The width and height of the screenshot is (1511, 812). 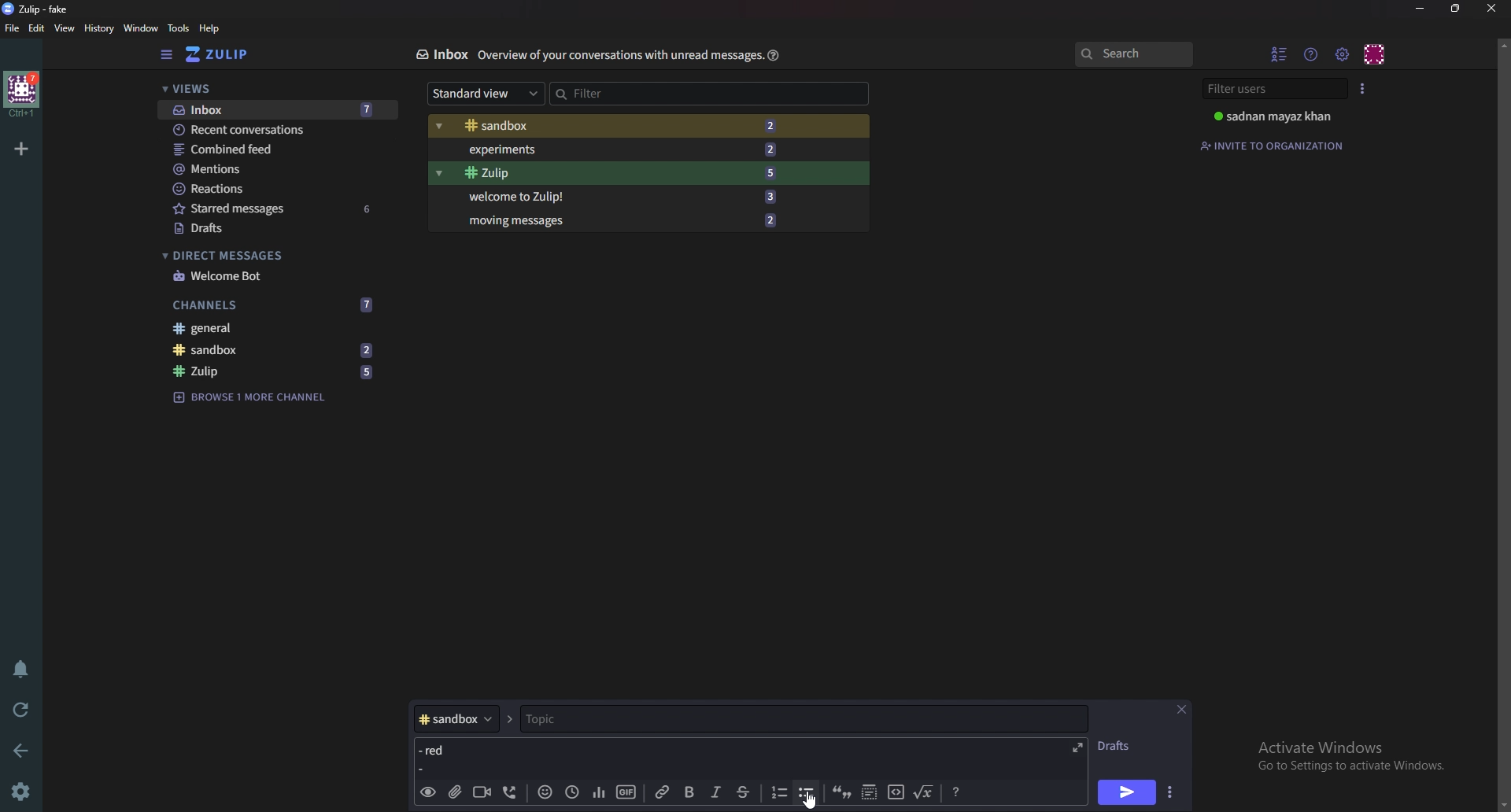 What do you see at coordinates (1180, 710) in the screenshot?
I see `Close message` at bounding box center [1180, 710].